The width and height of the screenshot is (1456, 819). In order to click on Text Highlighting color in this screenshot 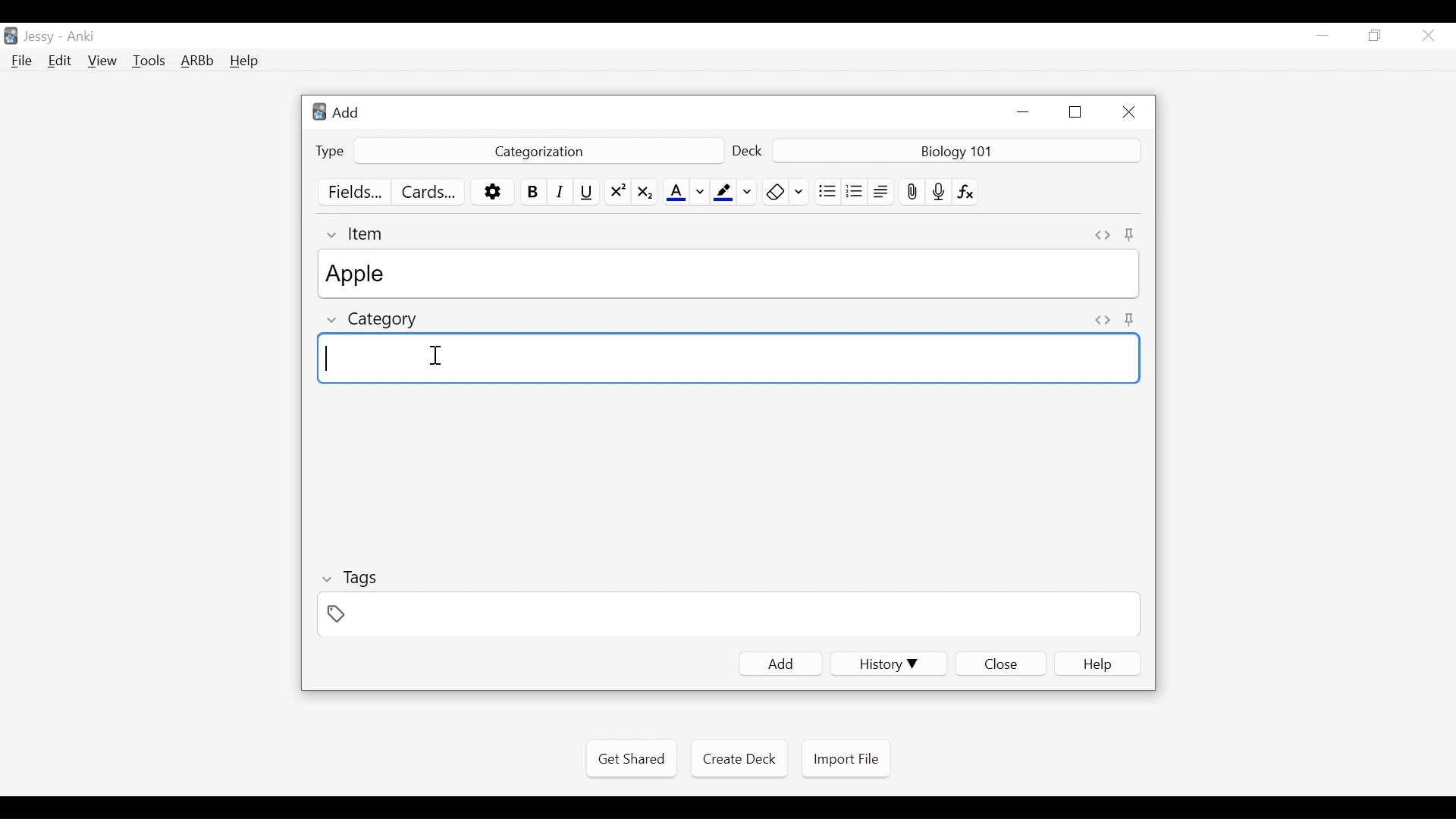, I will do `click(734, 192)`.